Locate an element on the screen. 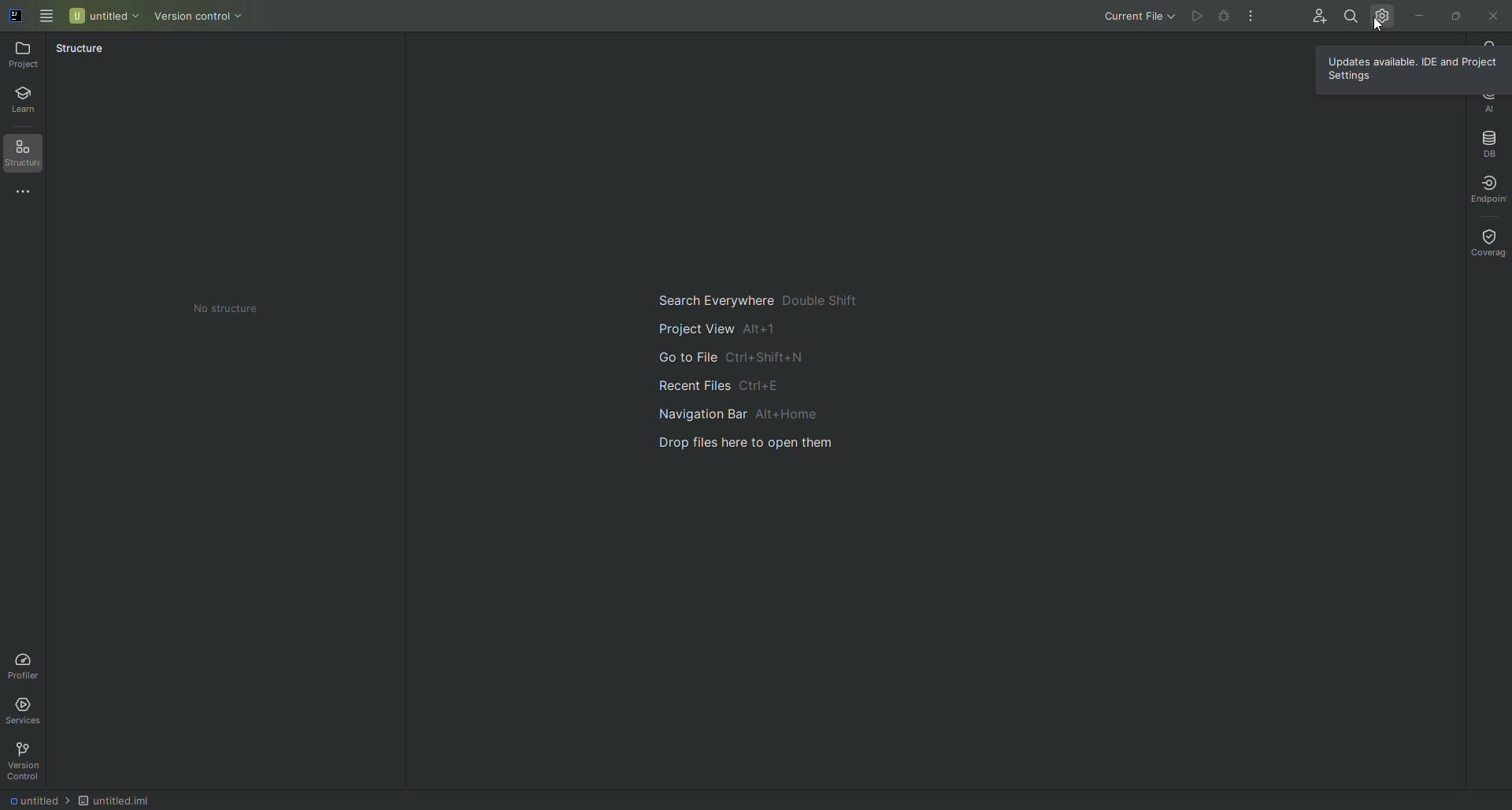 The image size is (1512, 810). Services is located at coordinates (28, 708).